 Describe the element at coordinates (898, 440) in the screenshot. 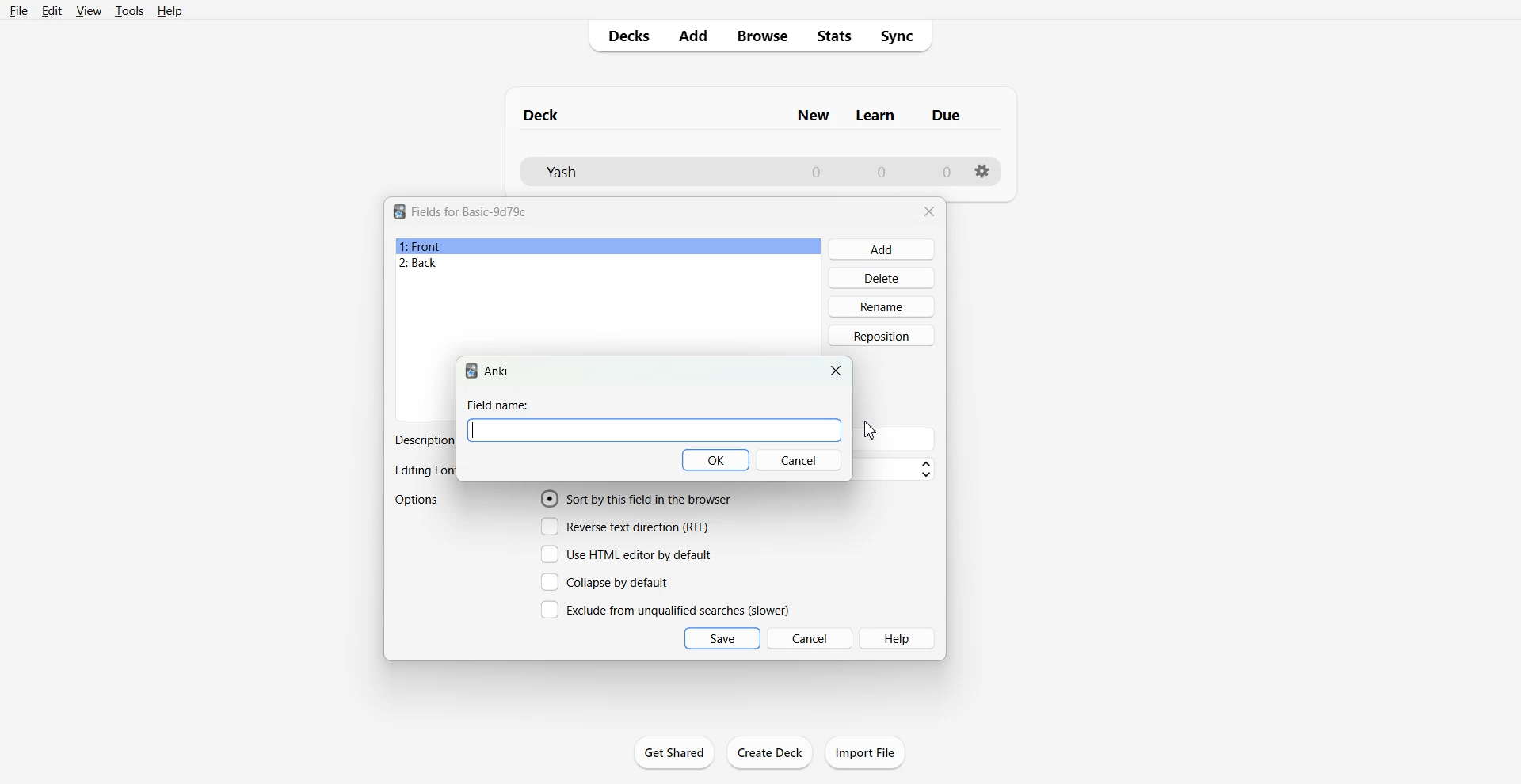

I see `Enter Description` at that location.